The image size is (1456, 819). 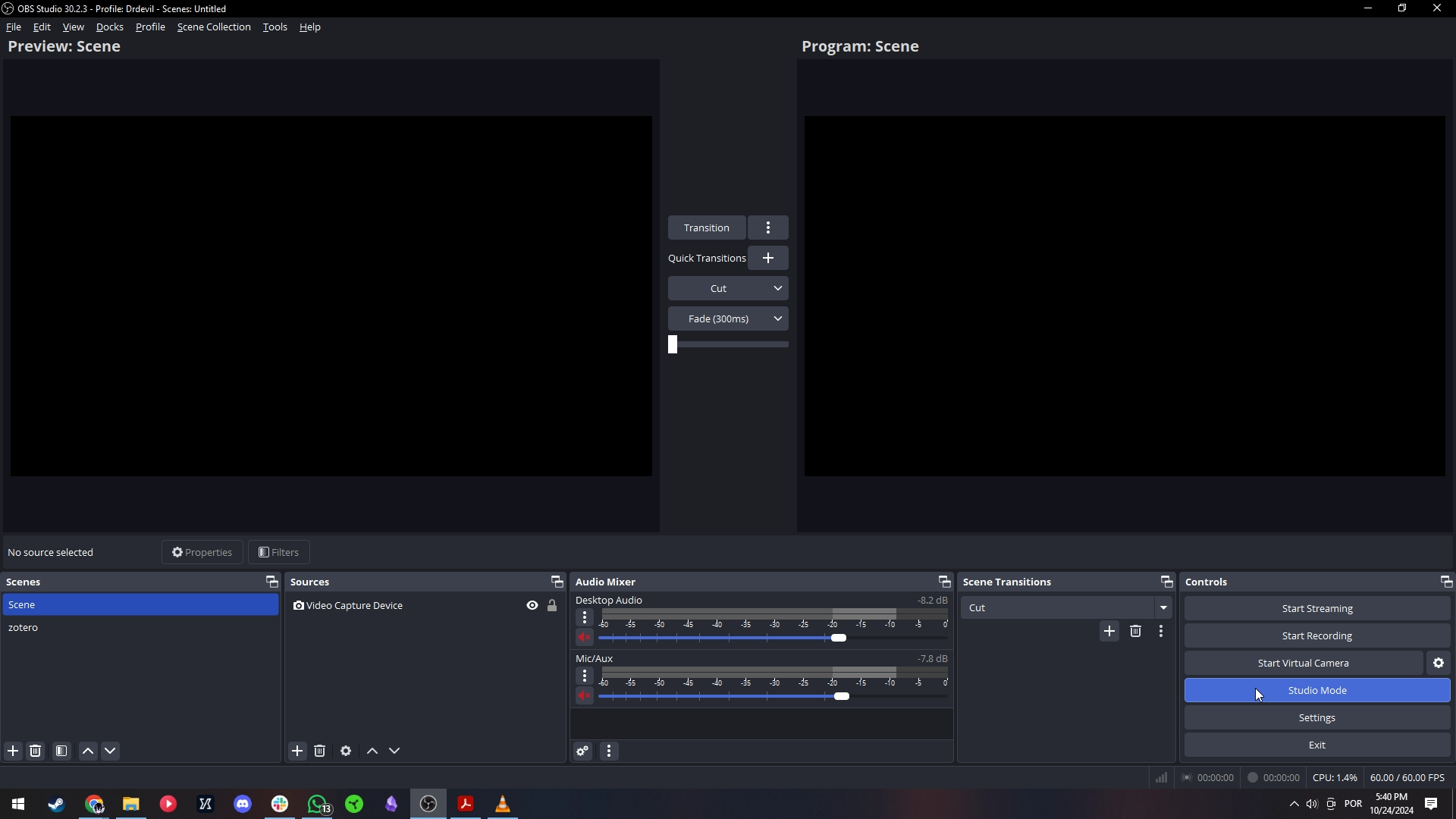 I want to click on Scene transition options, so click(x=1163, y=608).